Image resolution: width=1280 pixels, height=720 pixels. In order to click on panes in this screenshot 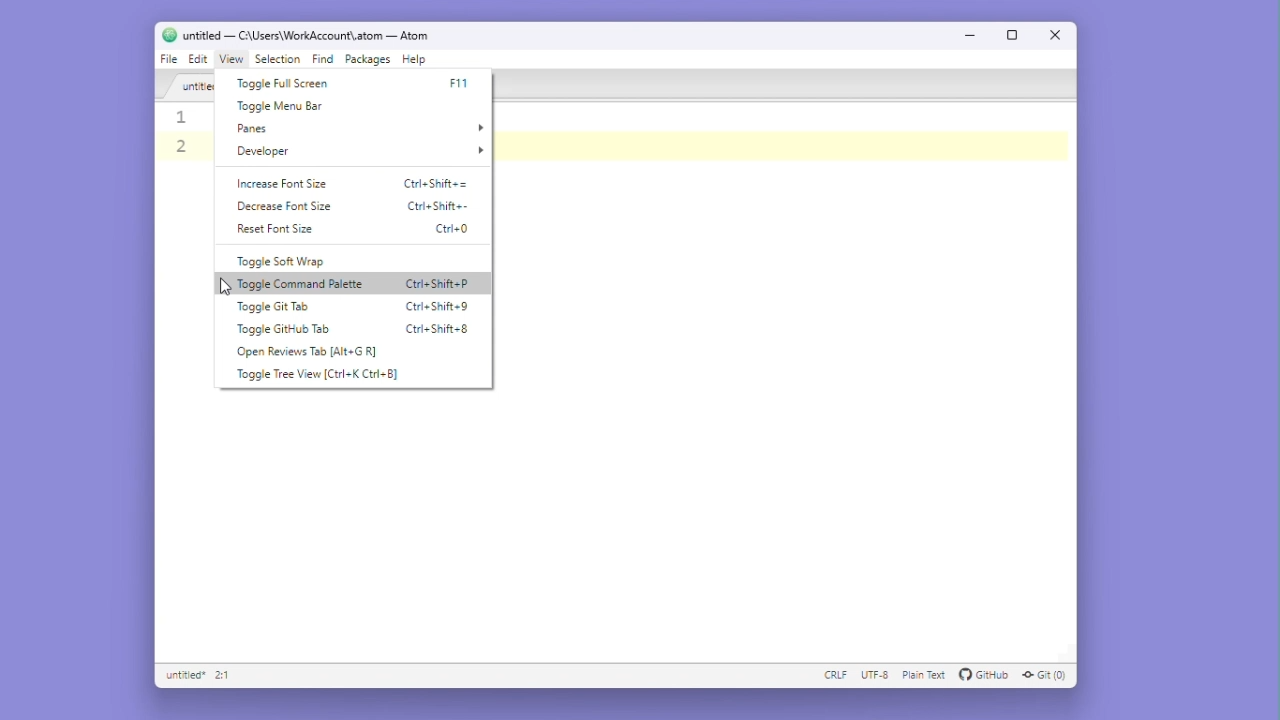, I will do `click(359, 129)`.